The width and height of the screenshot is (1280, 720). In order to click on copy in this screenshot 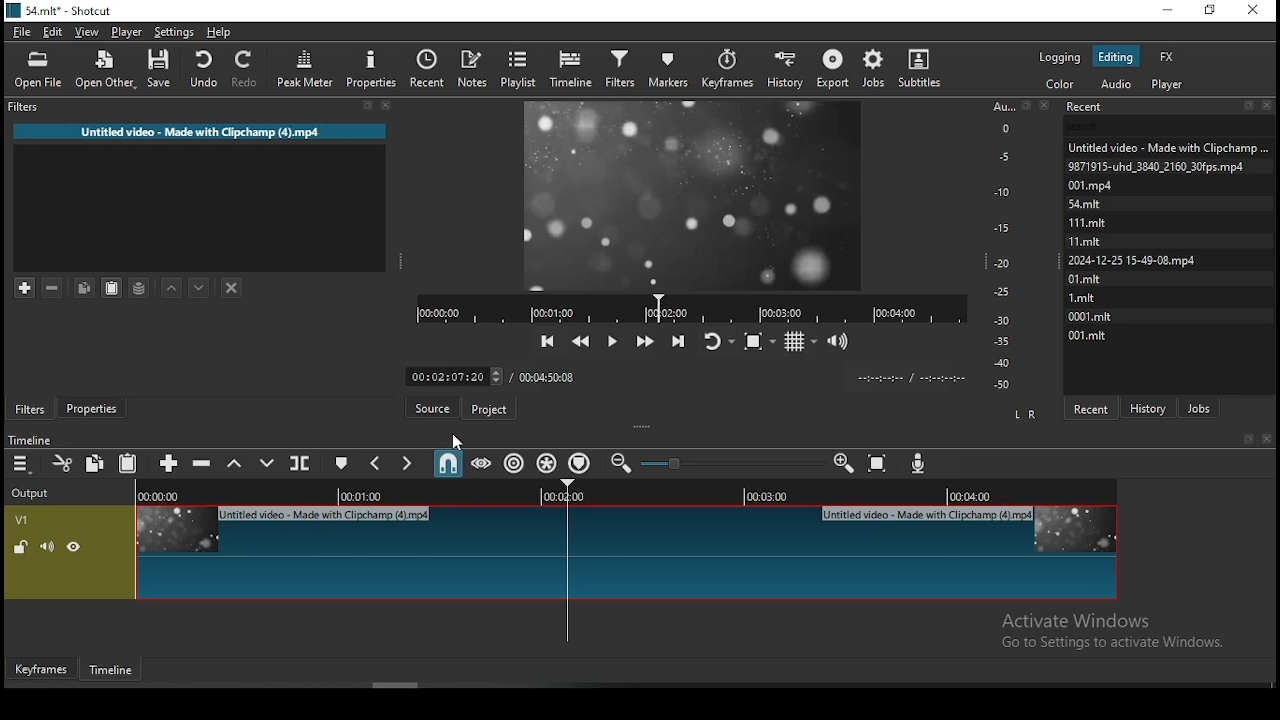, I will do `click(97, 462)`.